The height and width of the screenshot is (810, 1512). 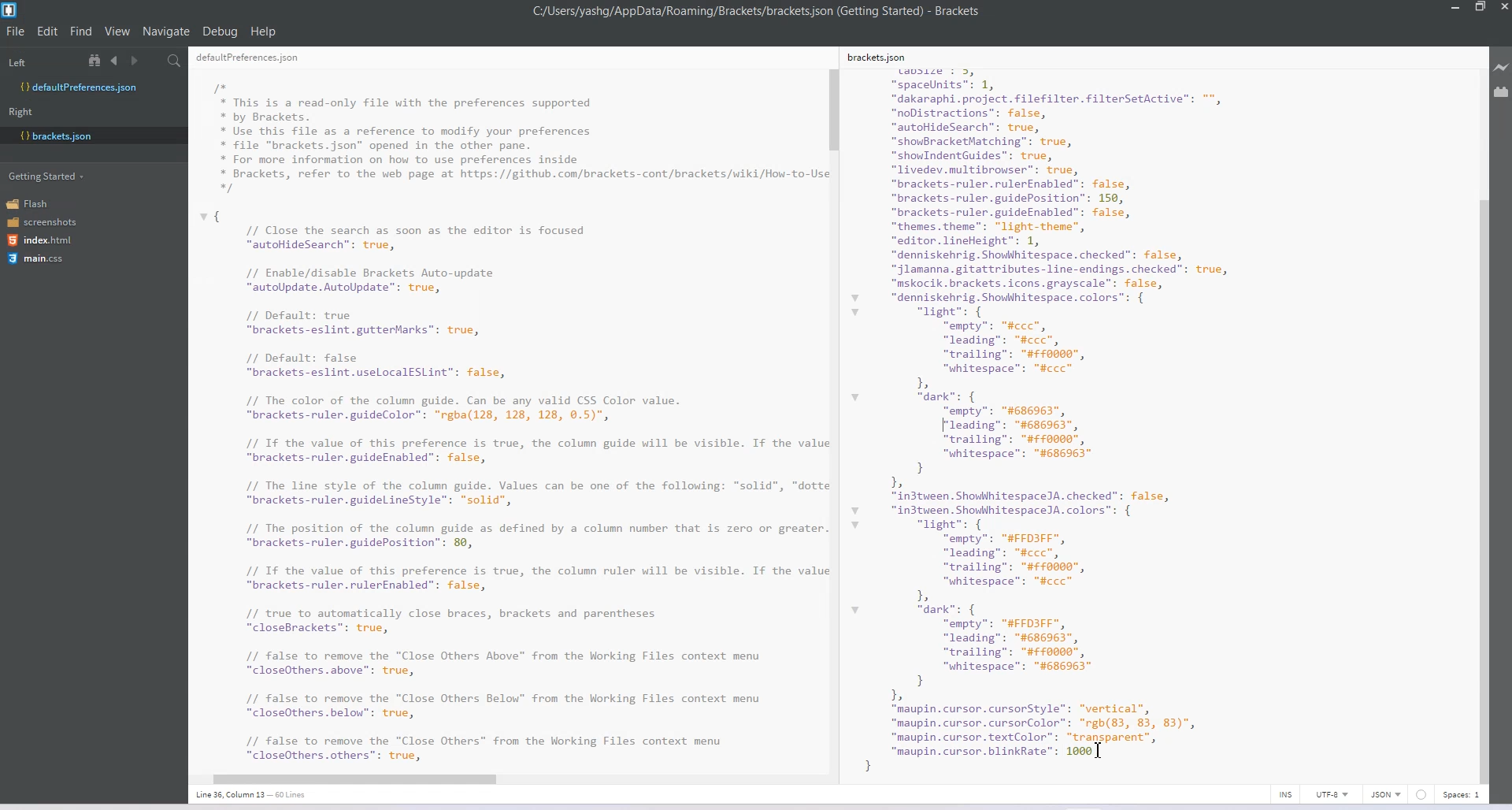 What do you see at coordinates (1457, 8) in the screenshot?
I see `Minimize` at bounding box center [1457, 8].